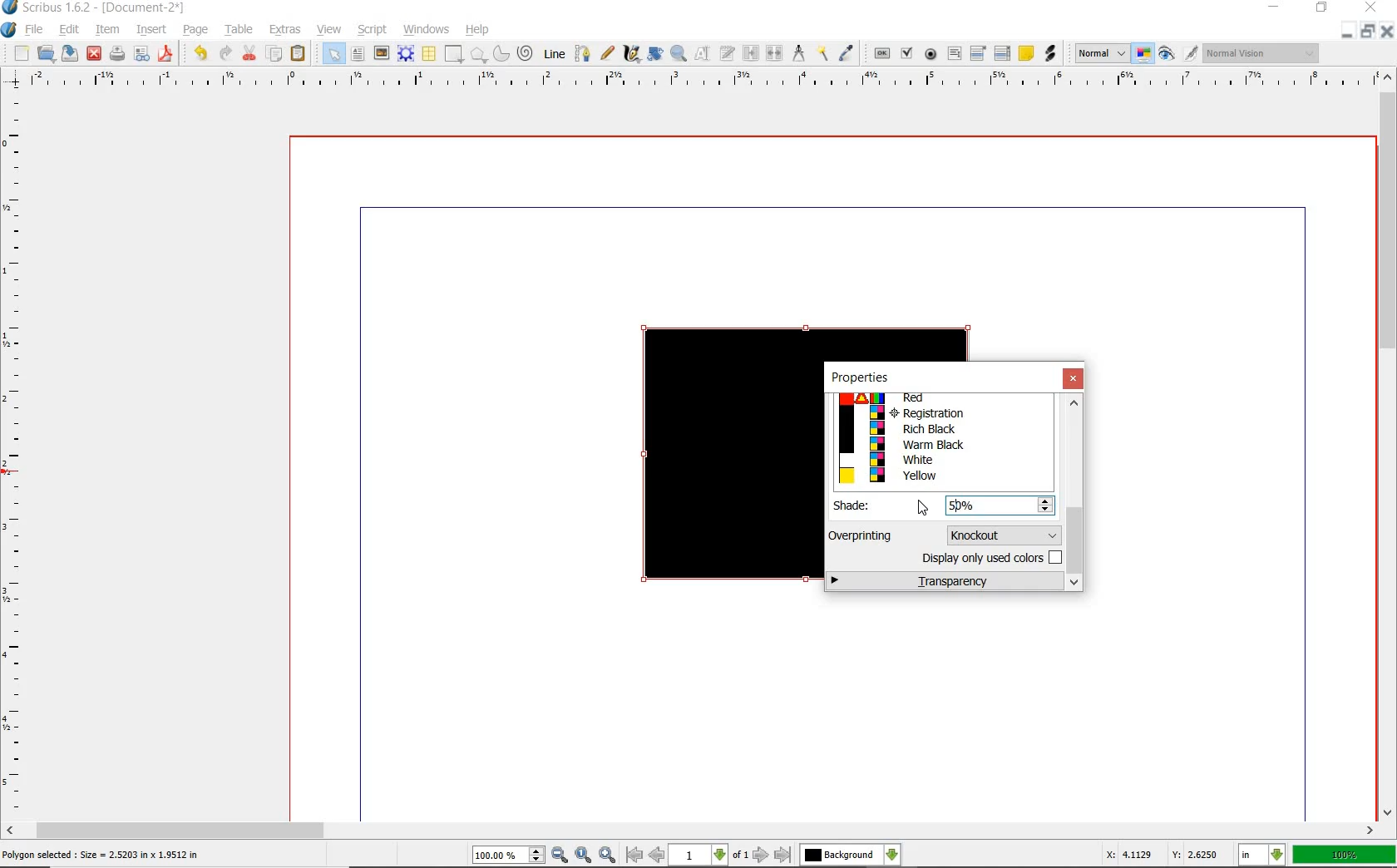 The image size is (1397, 868). Describe the element at coordinates (708, 856) in the screenshot. I see `select current page` at that location.